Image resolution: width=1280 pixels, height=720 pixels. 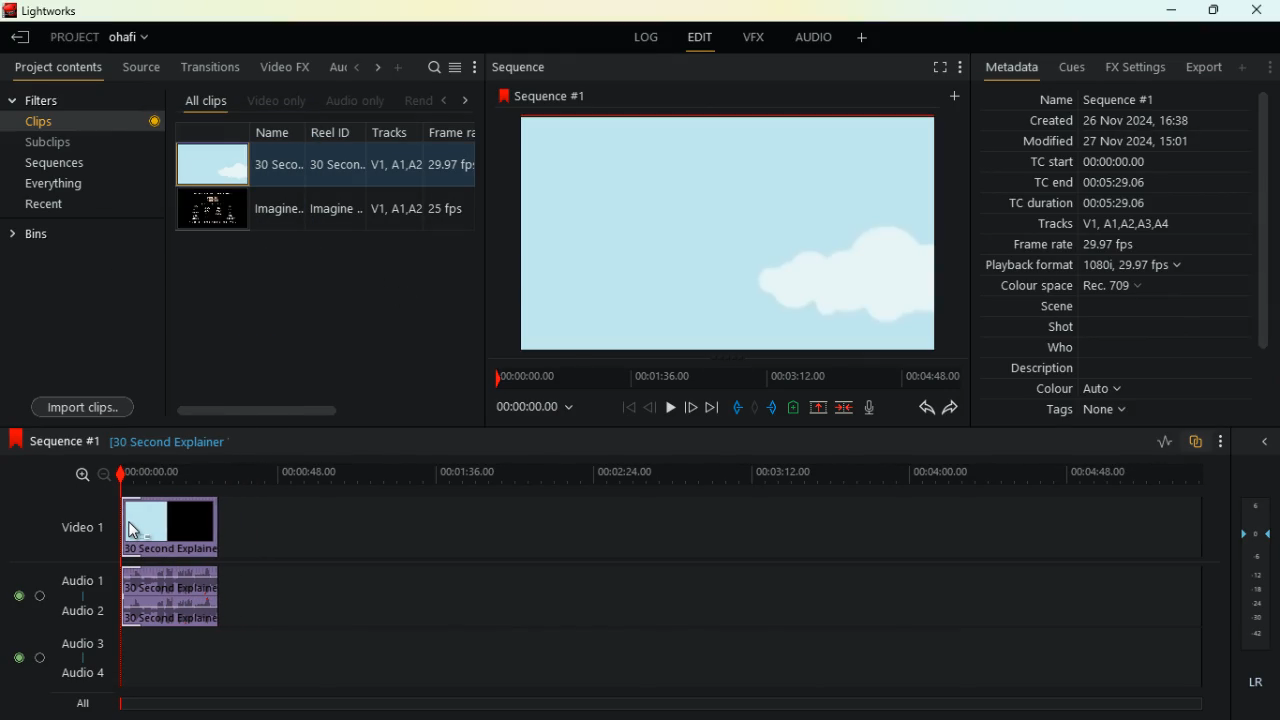 What do you see at coordinates (962, 65) in the screenshot?
I see `more` at bounding box center [962, 65].